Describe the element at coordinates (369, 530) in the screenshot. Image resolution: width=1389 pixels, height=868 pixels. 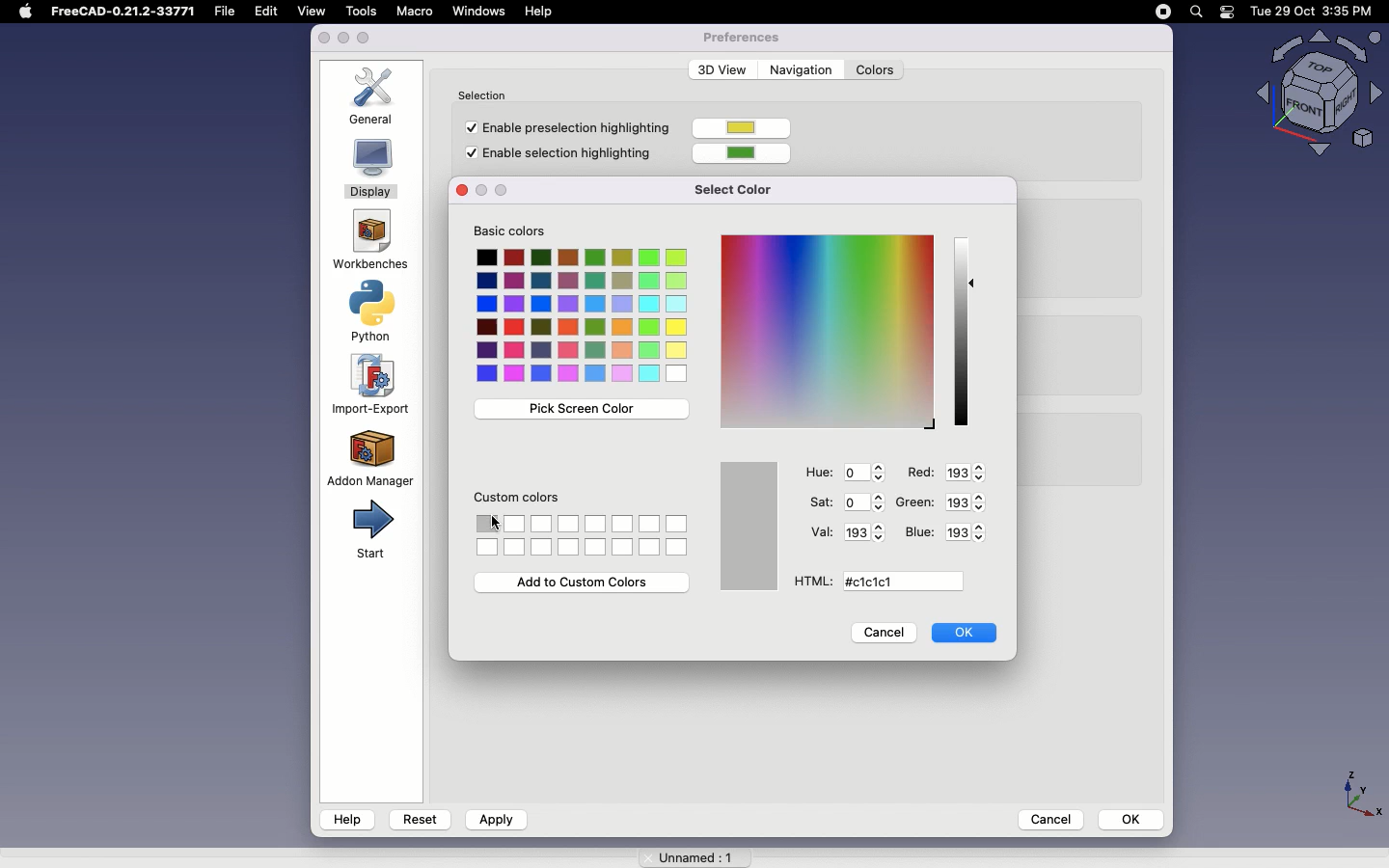
I see `Start` at that location.